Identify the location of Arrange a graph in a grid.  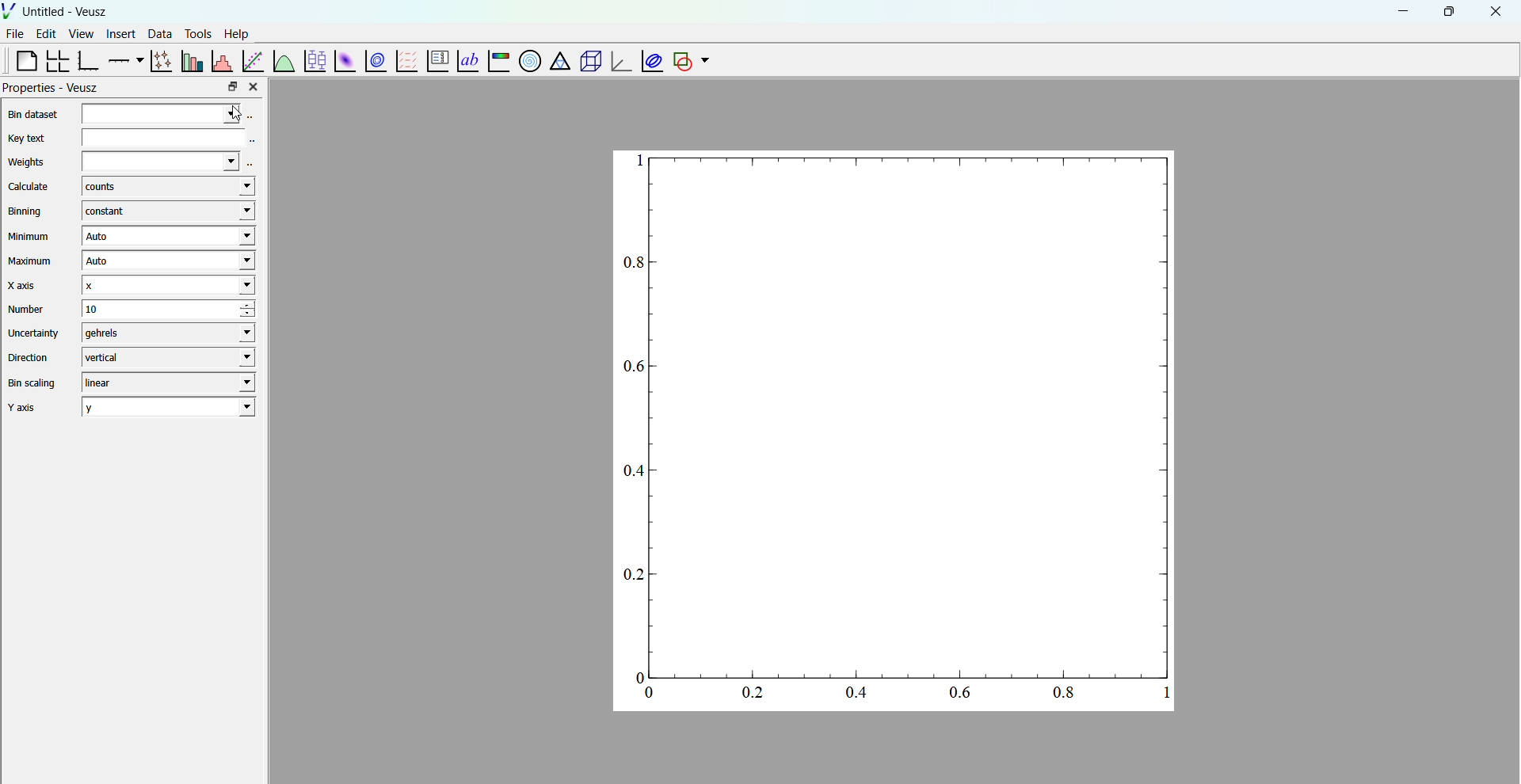
(56, 62).